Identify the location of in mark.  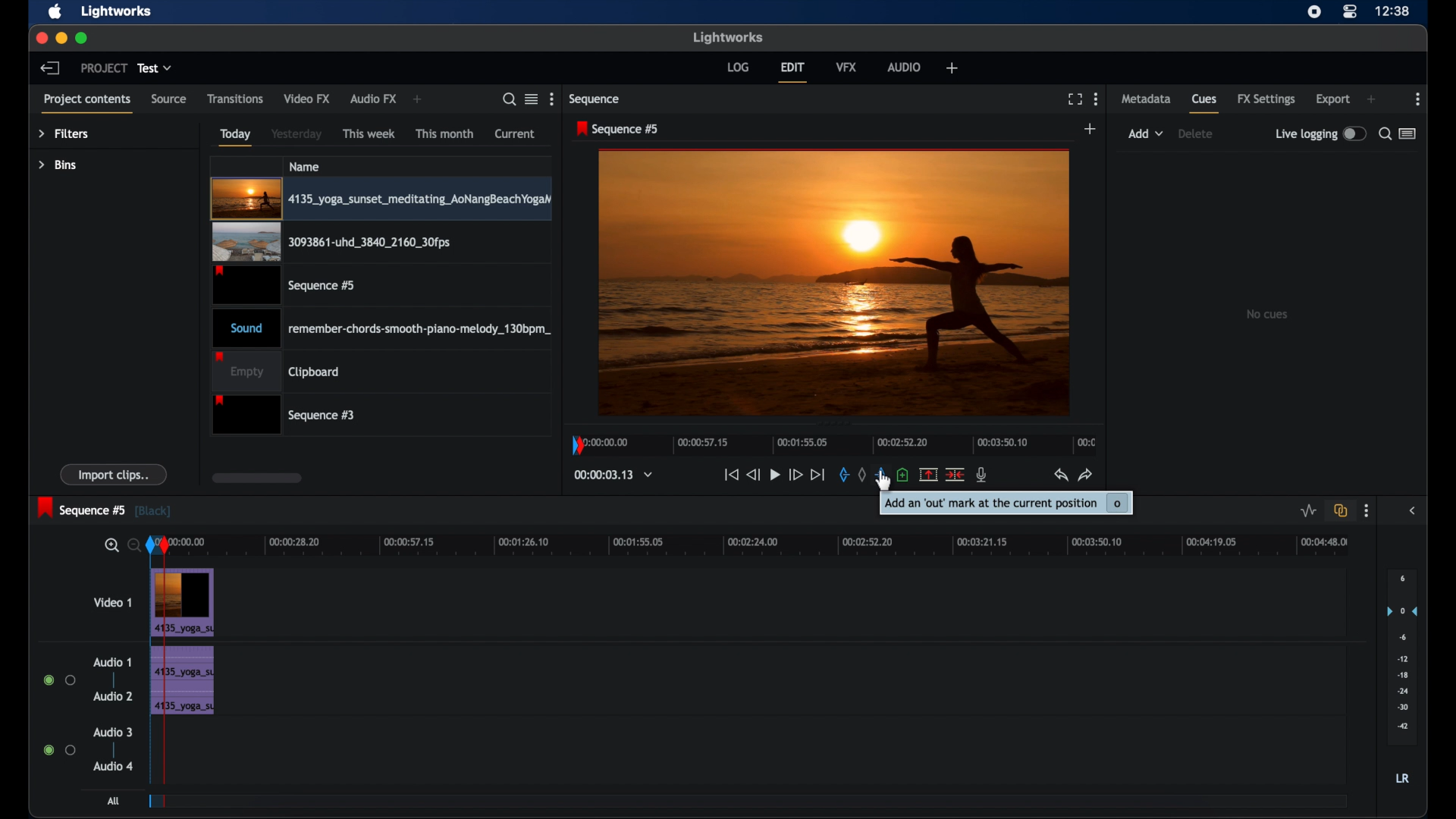
(843, 475).